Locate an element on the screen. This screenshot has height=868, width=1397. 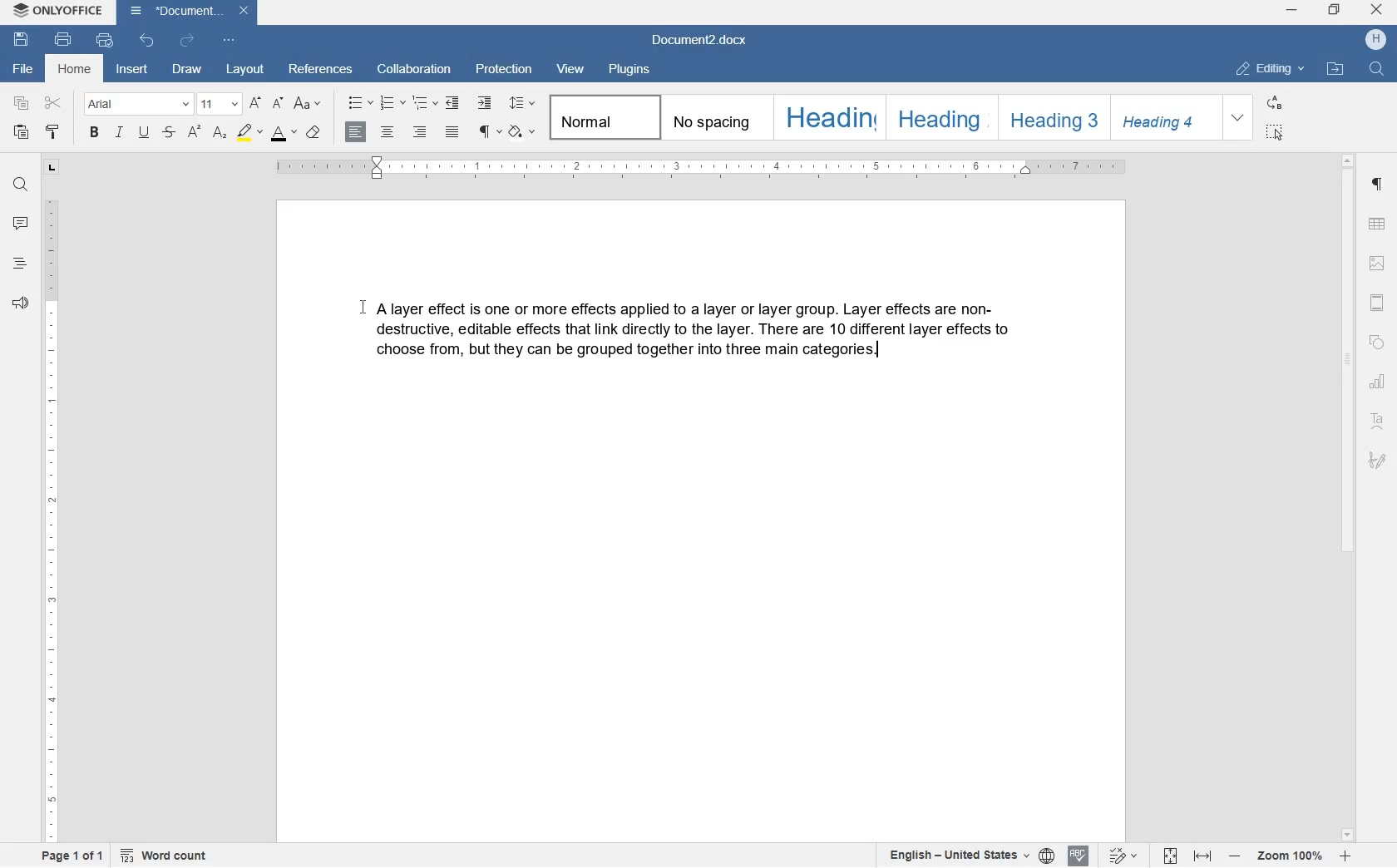
align right is located at coordinates (419, 132).